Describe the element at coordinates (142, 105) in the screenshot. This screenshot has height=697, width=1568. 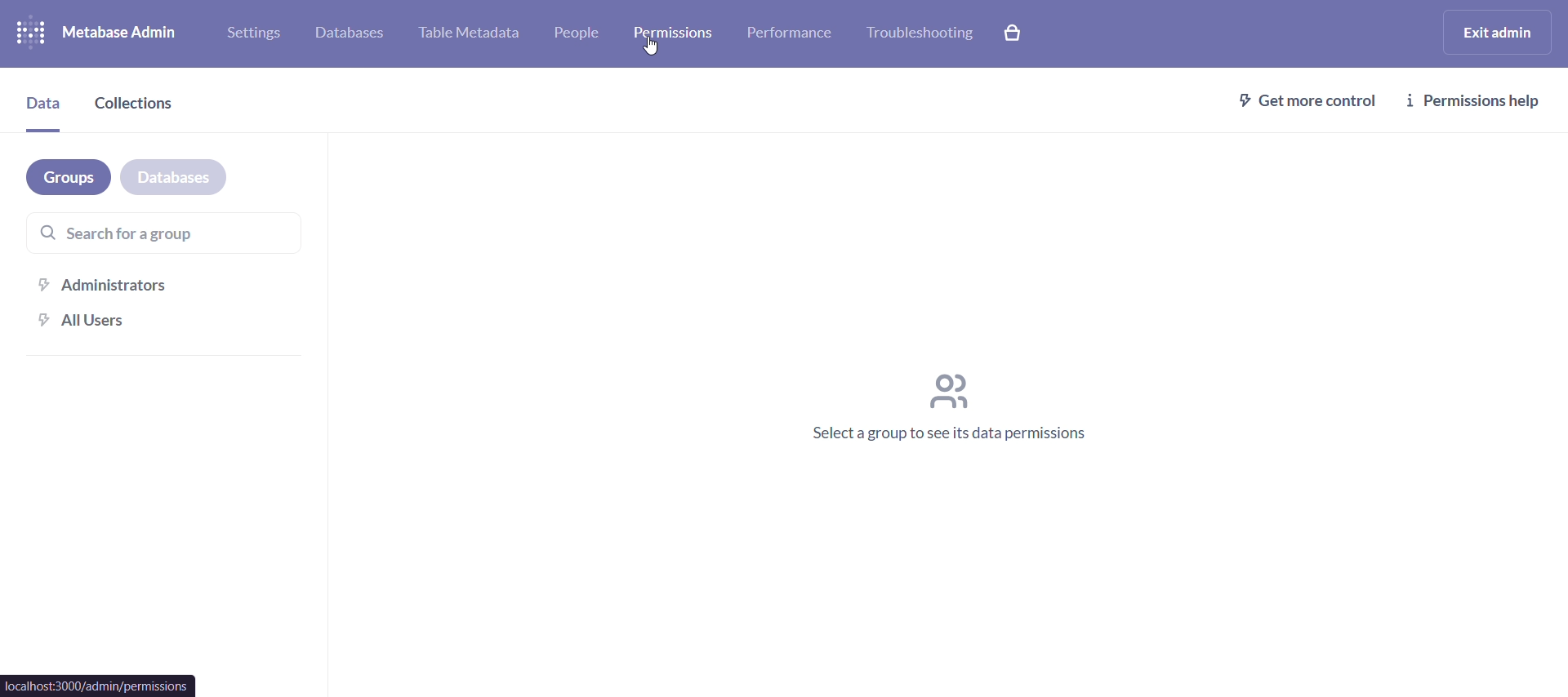
I see `collections` at that location.